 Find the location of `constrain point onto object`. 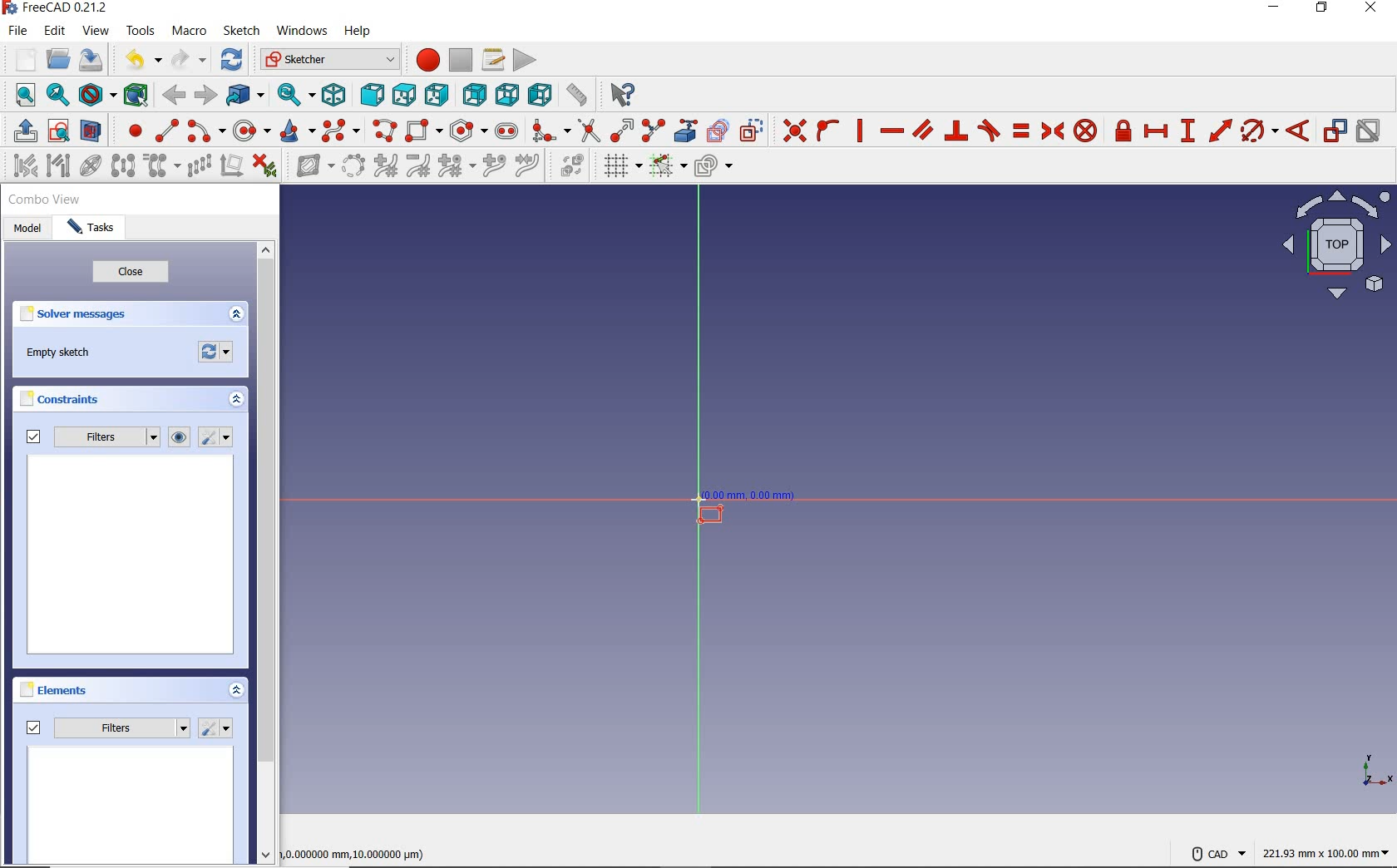

constrain point onto object is located at coordinates (827, 130).